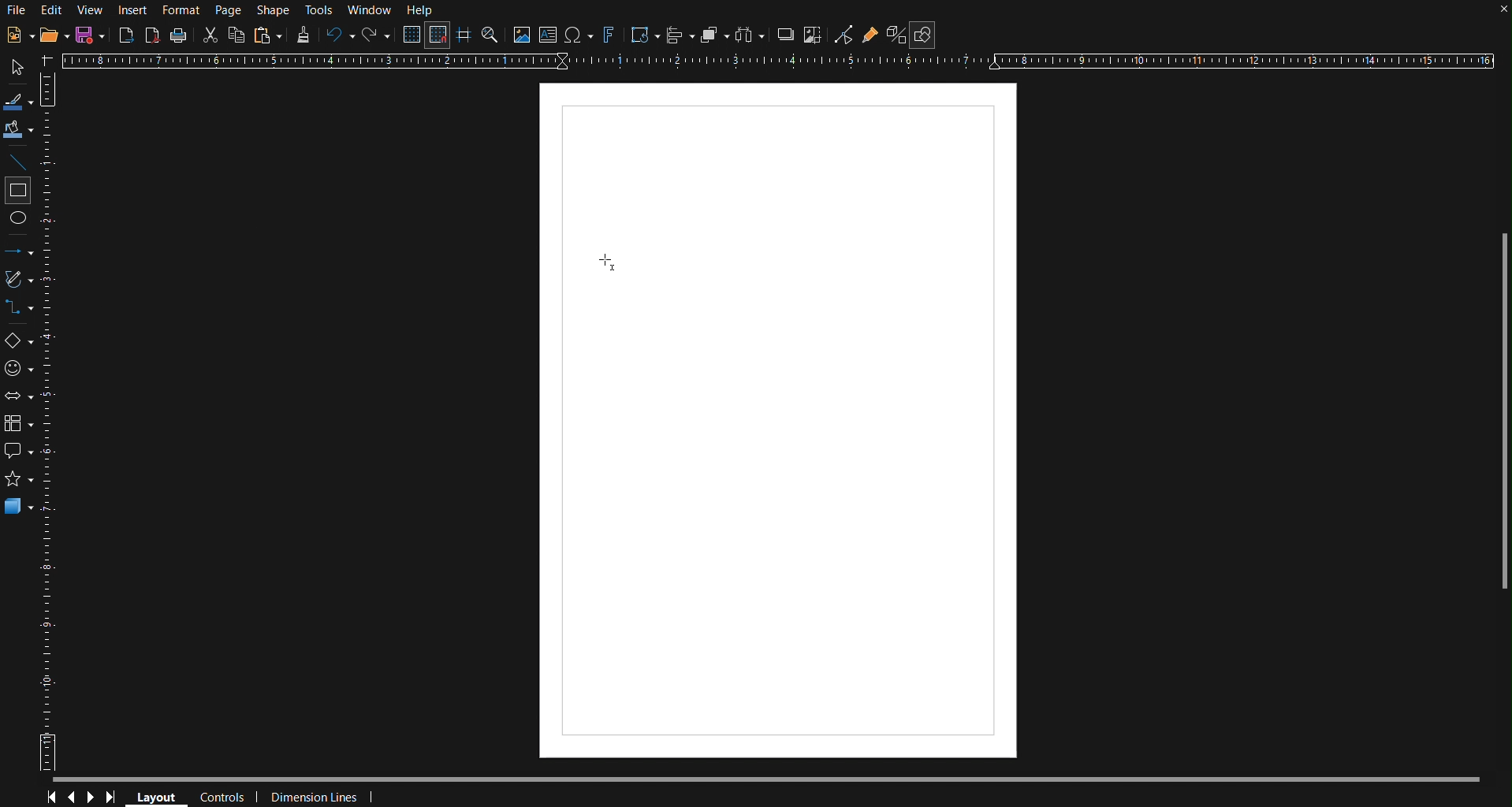  Describe the element at coordinates (225, 798) in the screenshot. I see `Controls` at that location.